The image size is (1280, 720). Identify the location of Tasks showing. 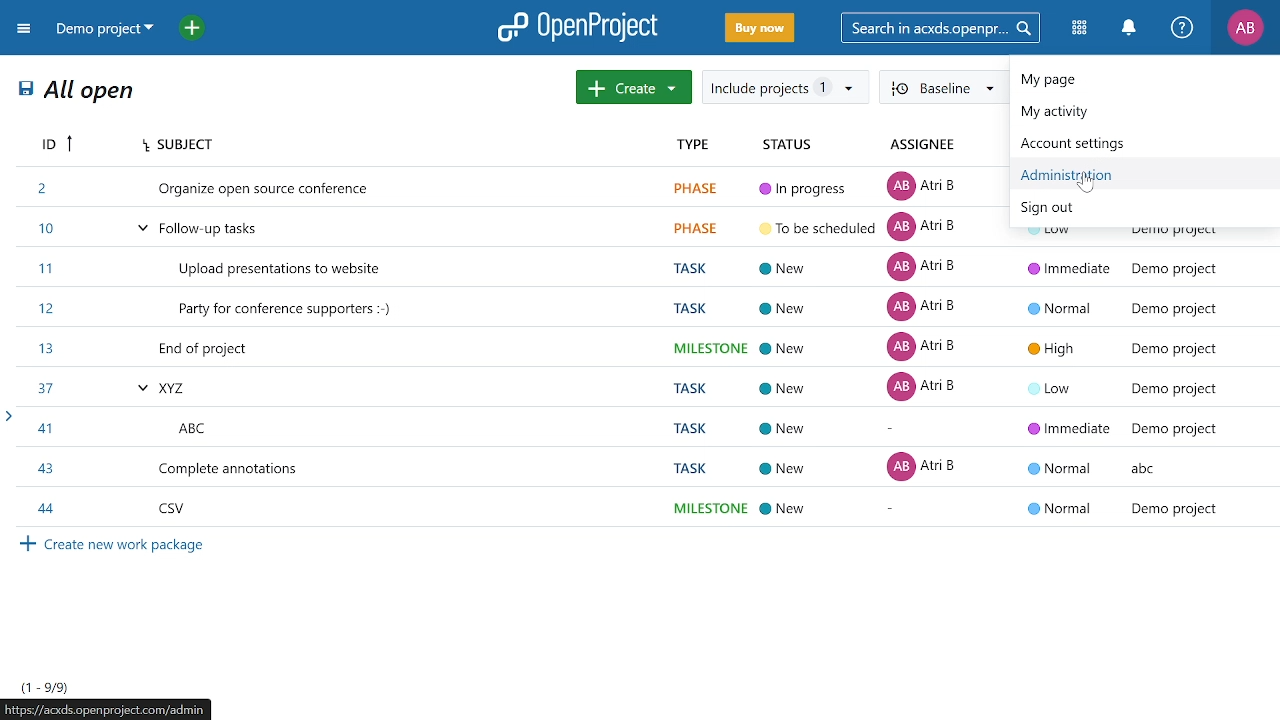
(46, 687).